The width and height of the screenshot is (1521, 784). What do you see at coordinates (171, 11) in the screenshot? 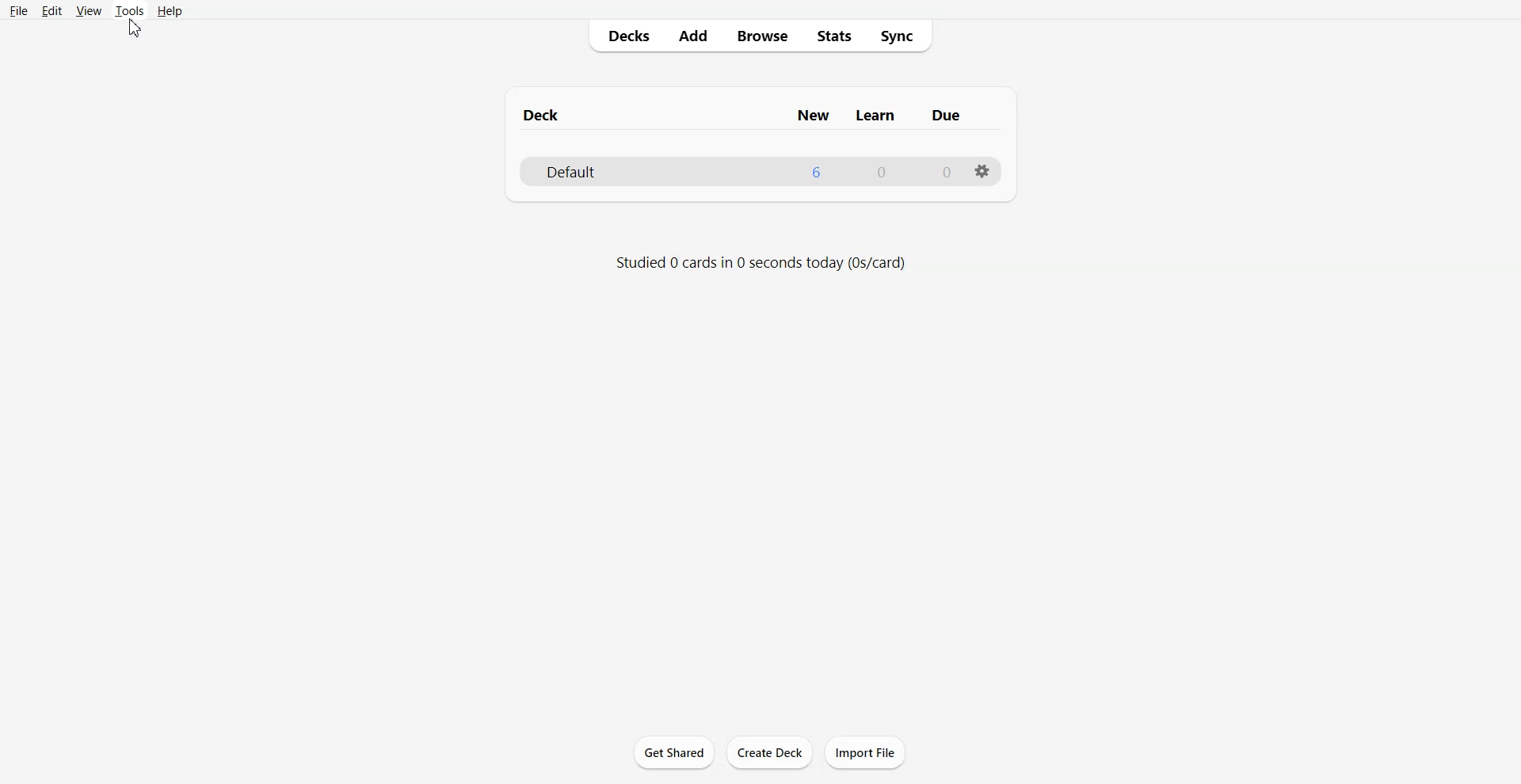
I see `Help` at bounding box center [171, 11].